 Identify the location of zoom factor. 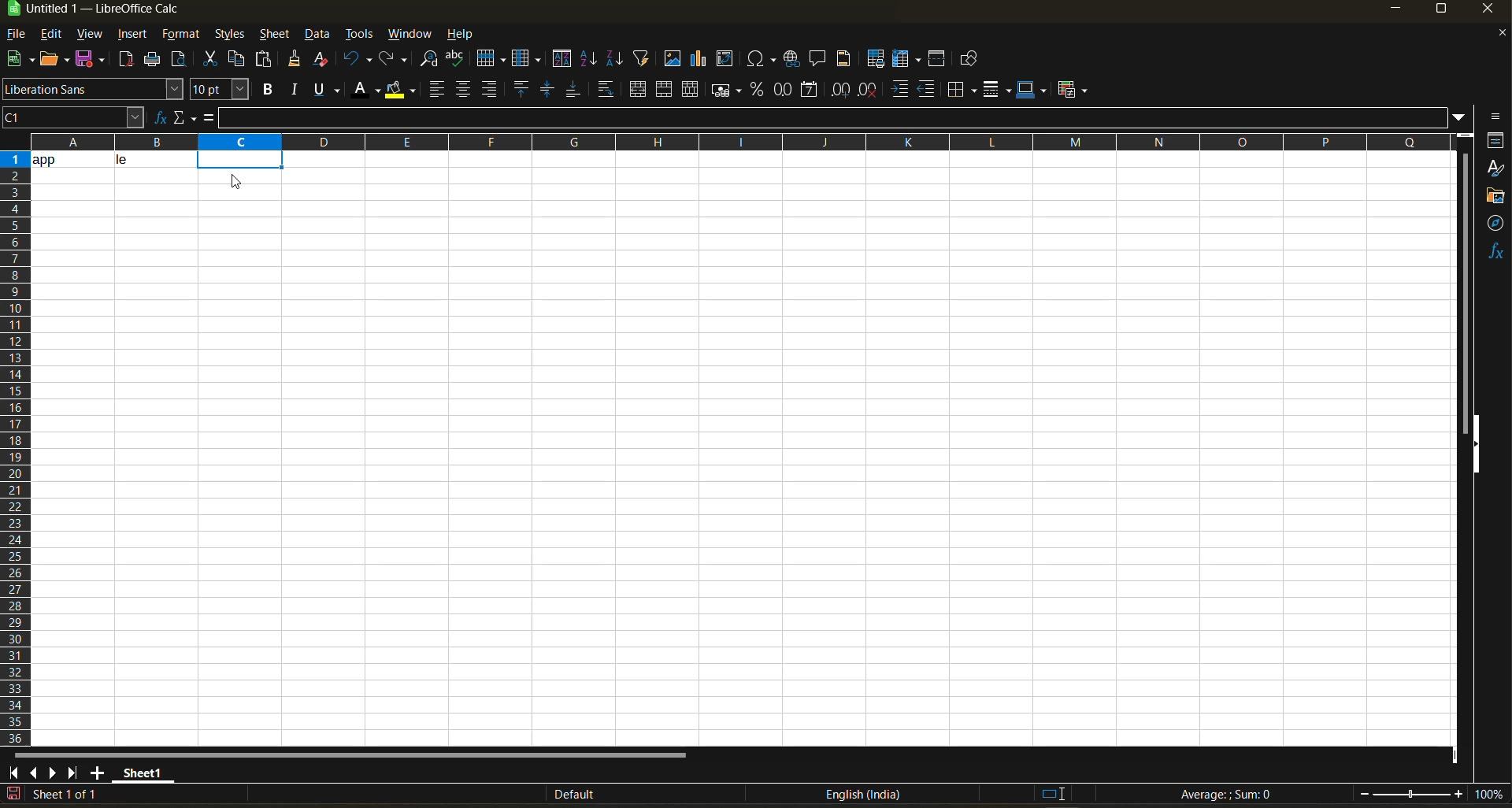
(1492, 795).